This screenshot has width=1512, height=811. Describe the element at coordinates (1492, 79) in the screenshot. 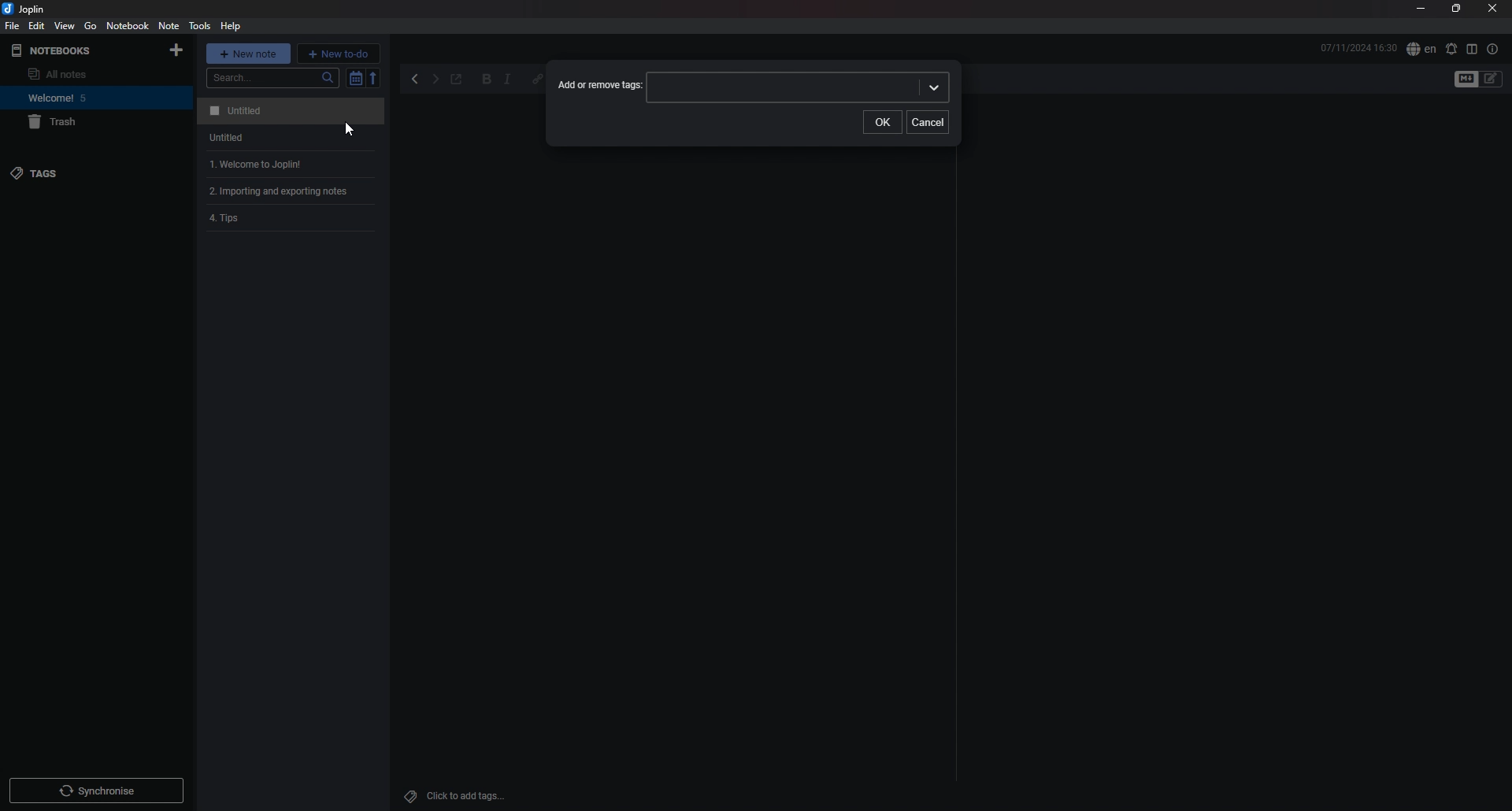

I see `toggle editors` at that location.